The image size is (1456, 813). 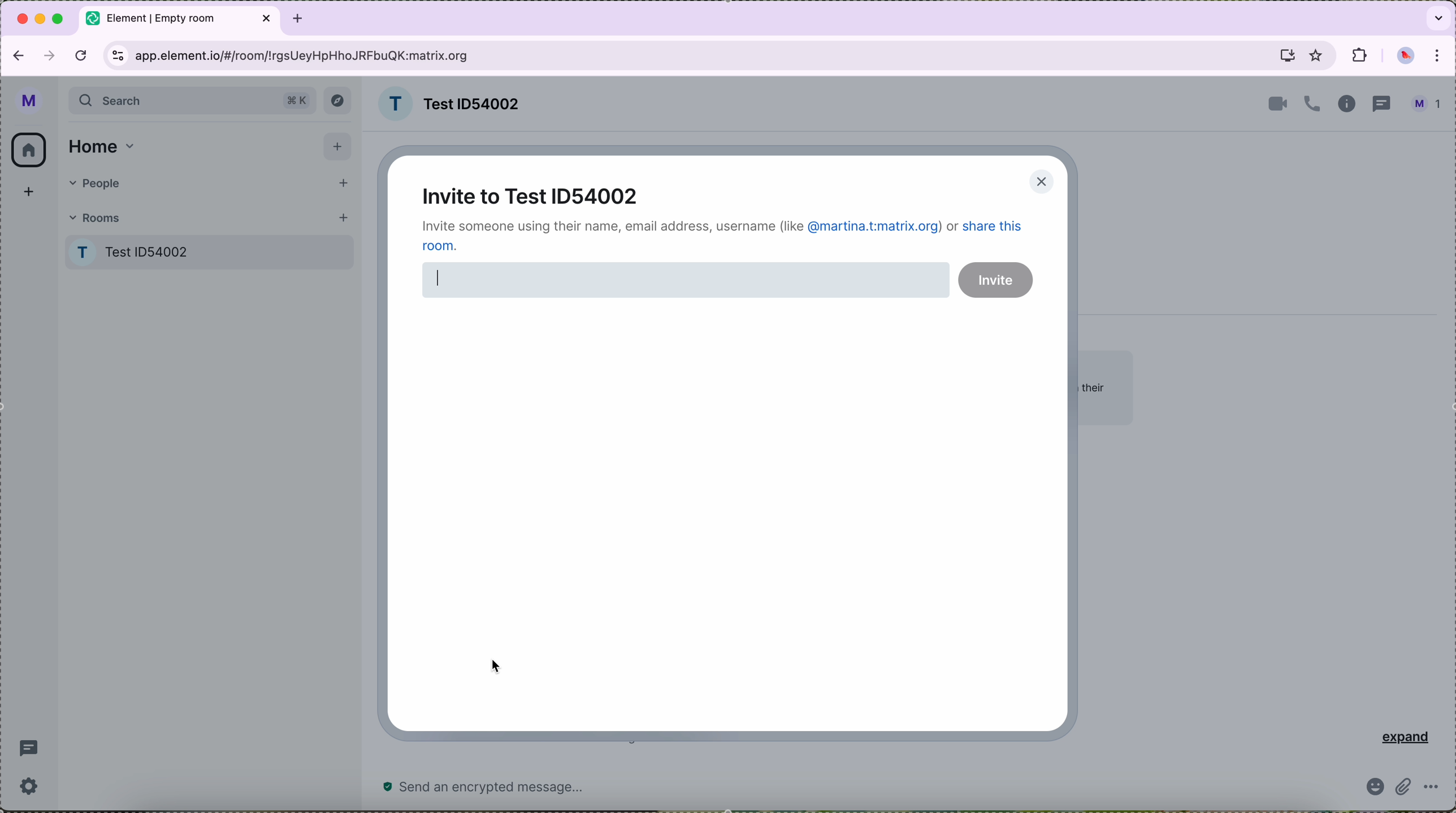 I want to click on extensions, so click(x=1359, y=56).